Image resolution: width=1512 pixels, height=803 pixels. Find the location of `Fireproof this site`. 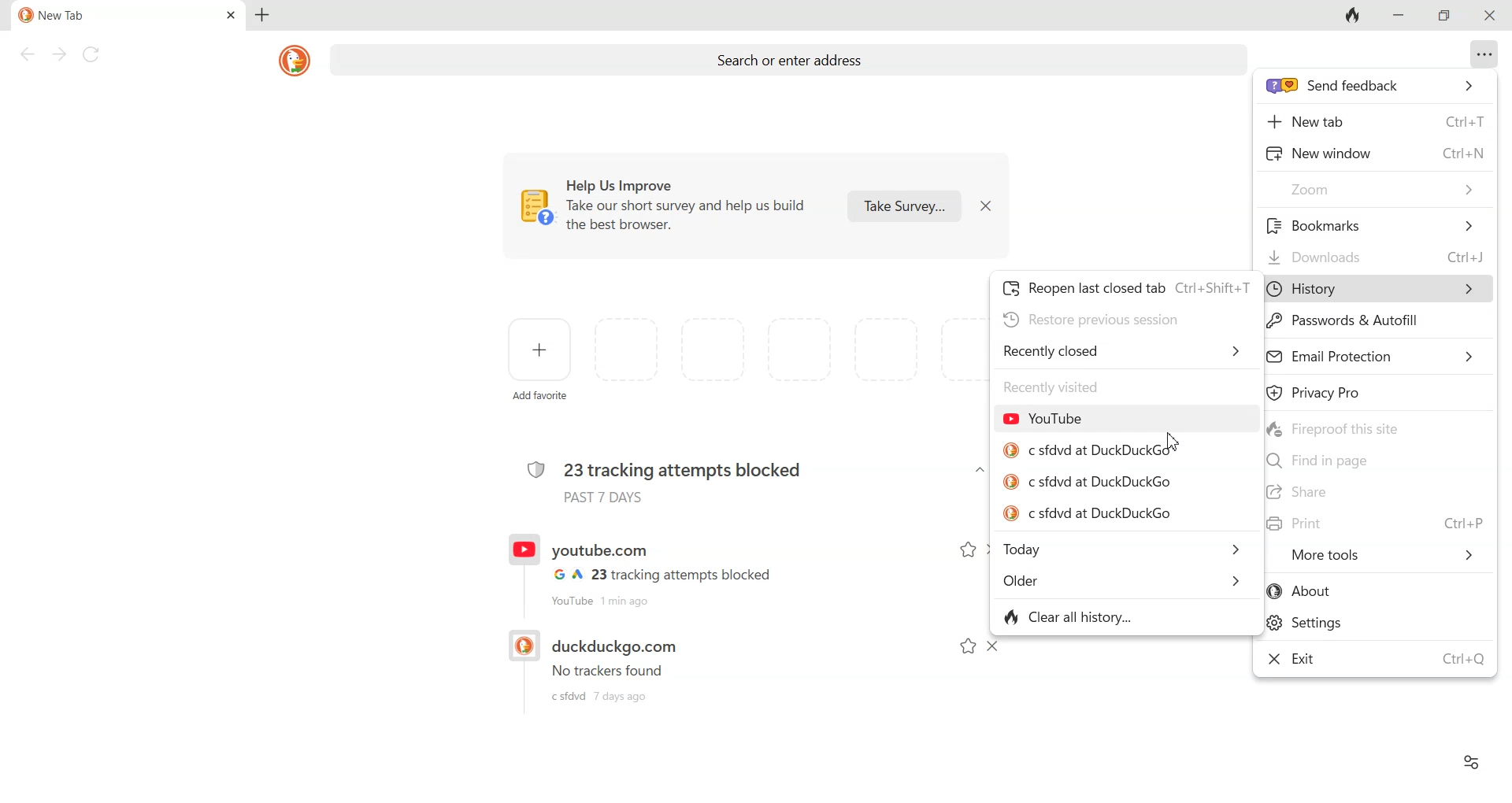

Fireproof this site is located at coordinates (1376, 427).